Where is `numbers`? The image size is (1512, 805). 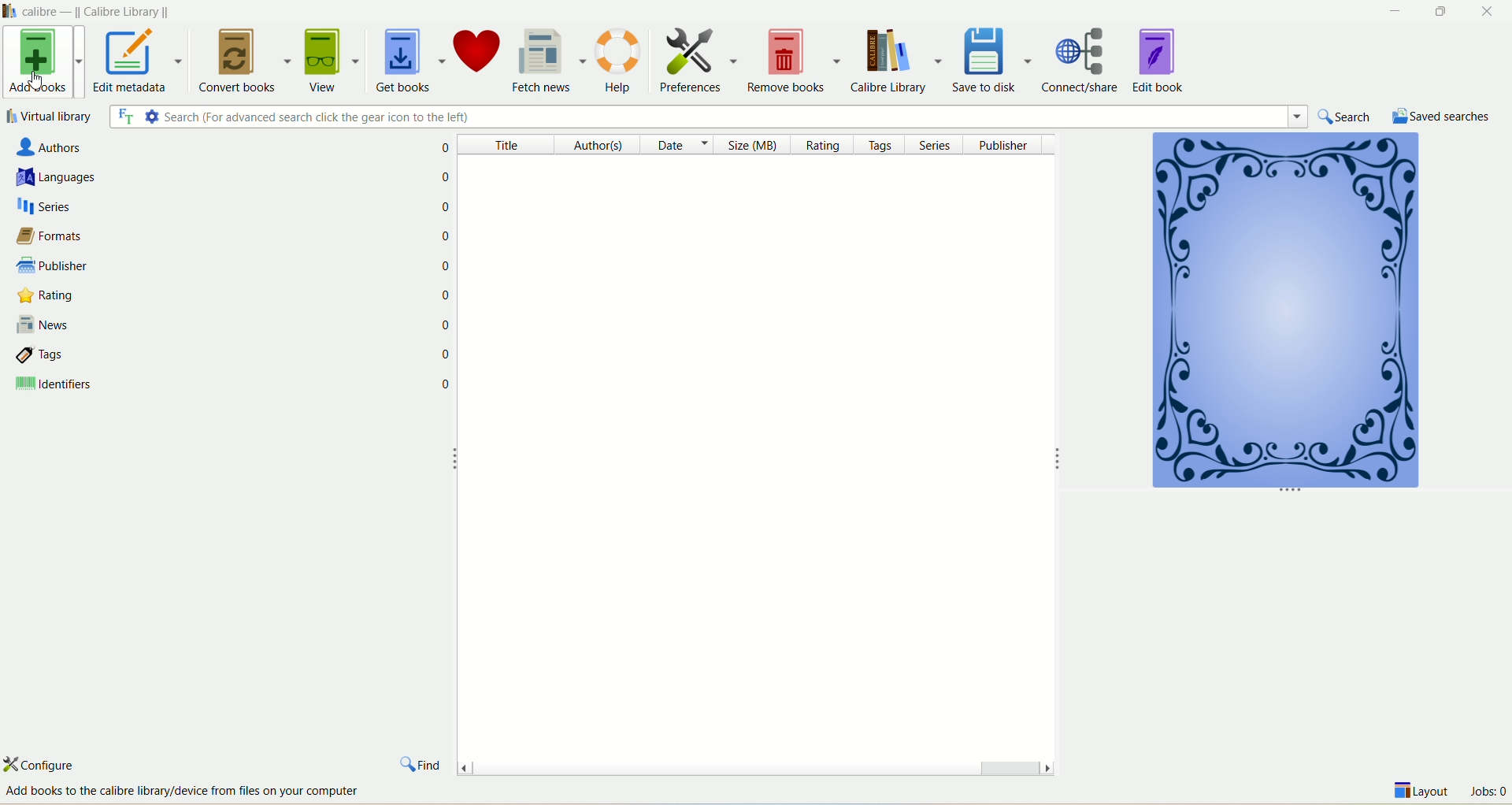 numbers is located at coordinates (447, 292).